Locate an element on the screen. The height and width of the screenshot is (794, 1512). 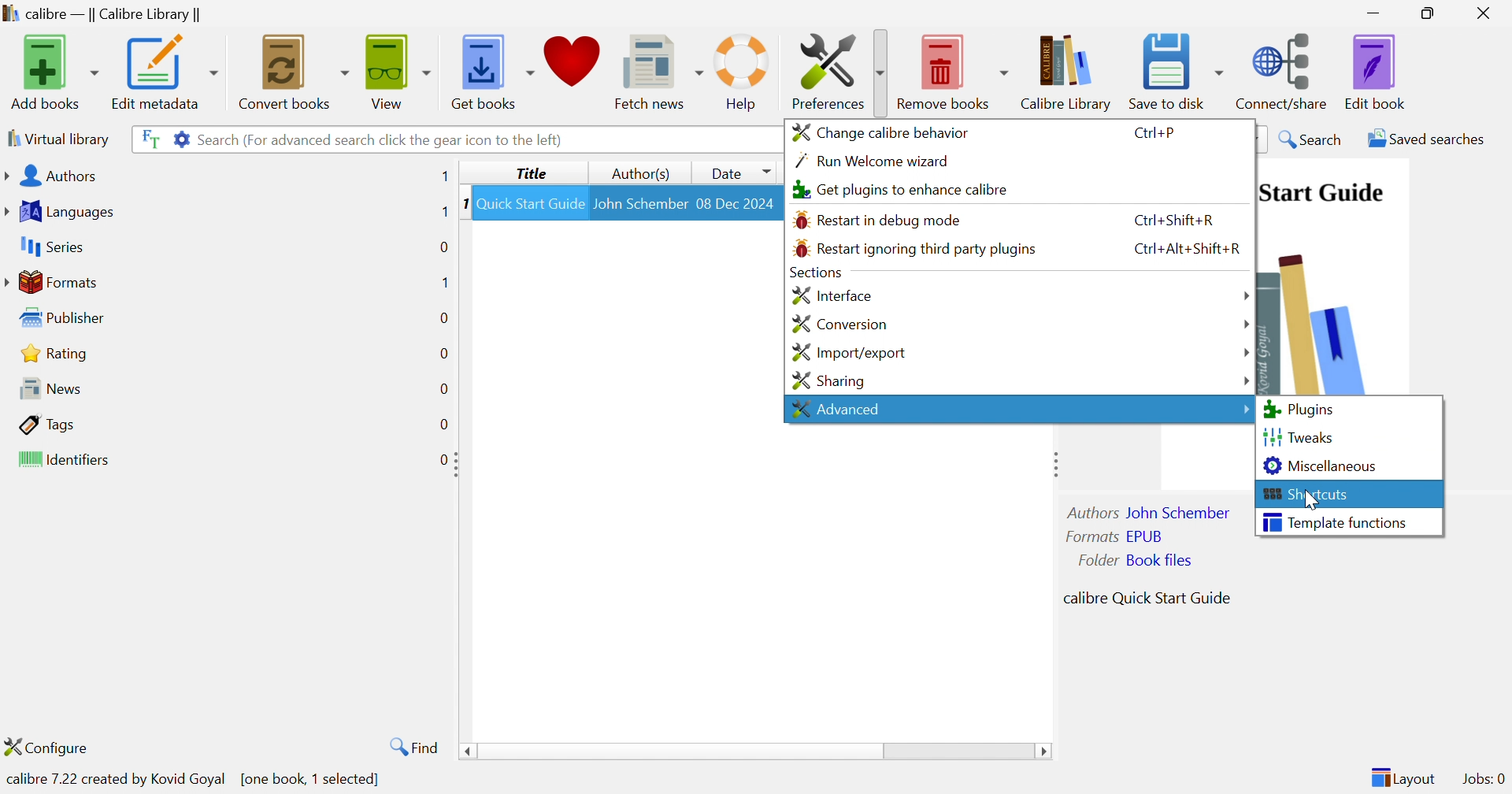
Formats EPUB is located at coordinates (1114, 536).